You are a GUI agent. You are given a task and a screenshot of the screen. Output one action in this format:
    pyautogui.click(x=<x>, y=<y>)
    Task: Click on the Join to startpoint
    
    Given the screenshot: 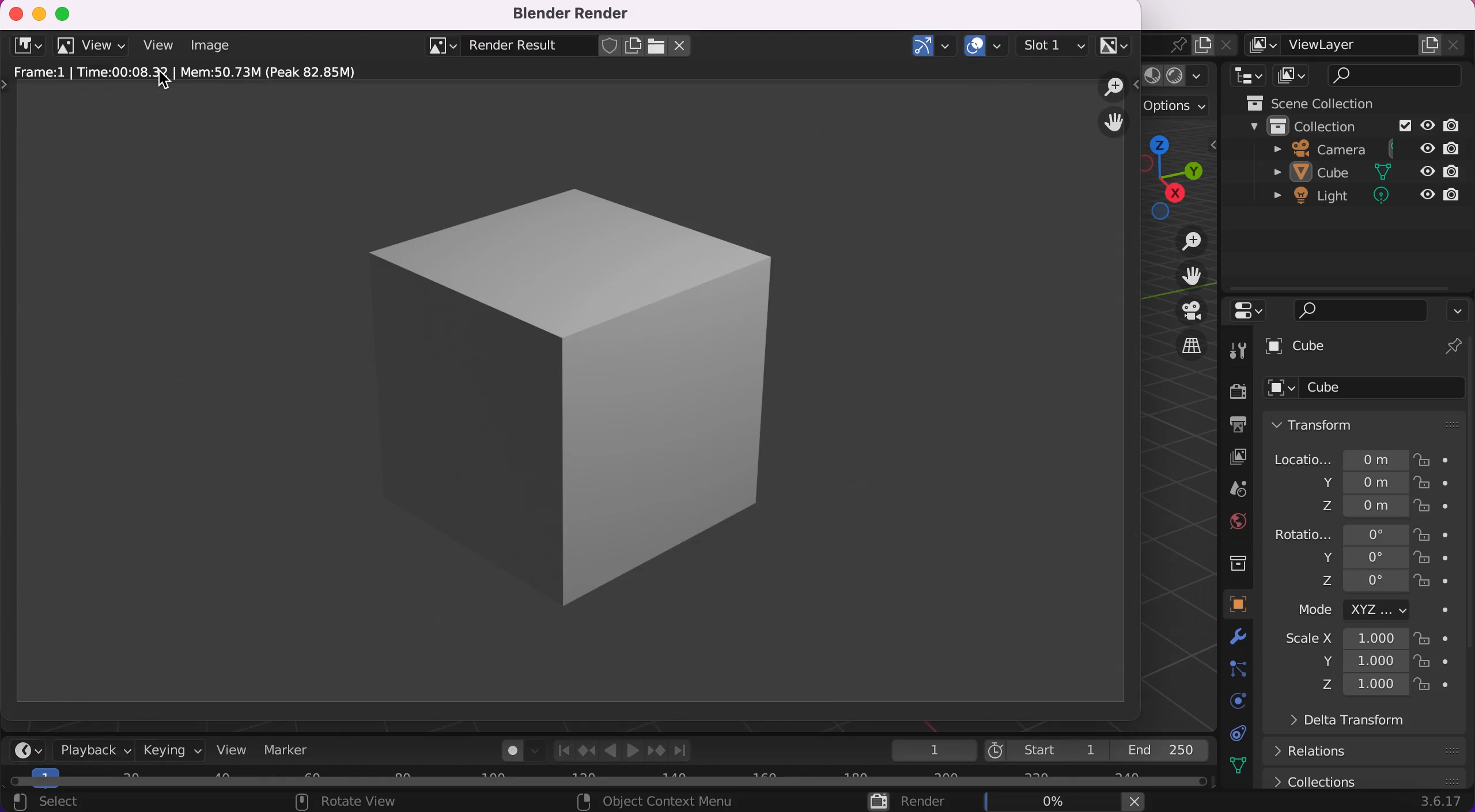 What is the action you would take?
    pyautogui.click(x=562, y=750)
    